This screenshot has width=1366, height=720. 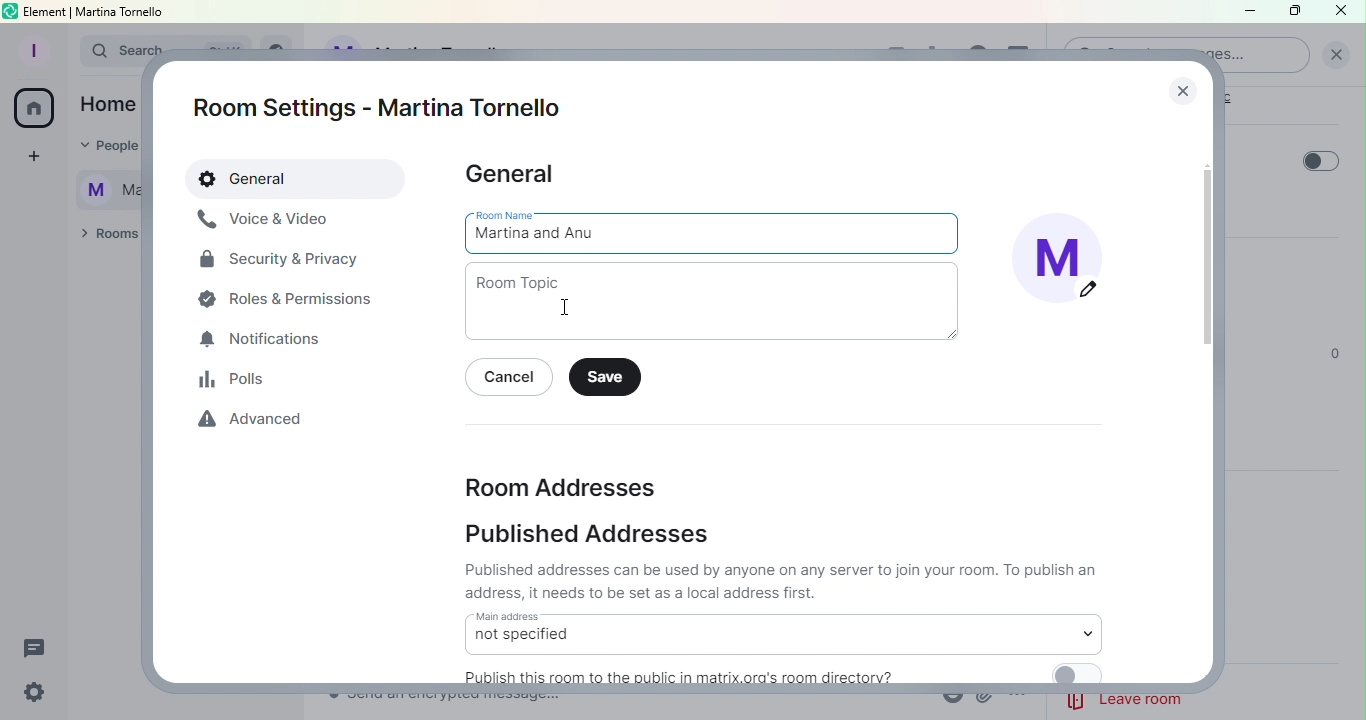 I want to click on Published addresses, so click(x=591, y=535).